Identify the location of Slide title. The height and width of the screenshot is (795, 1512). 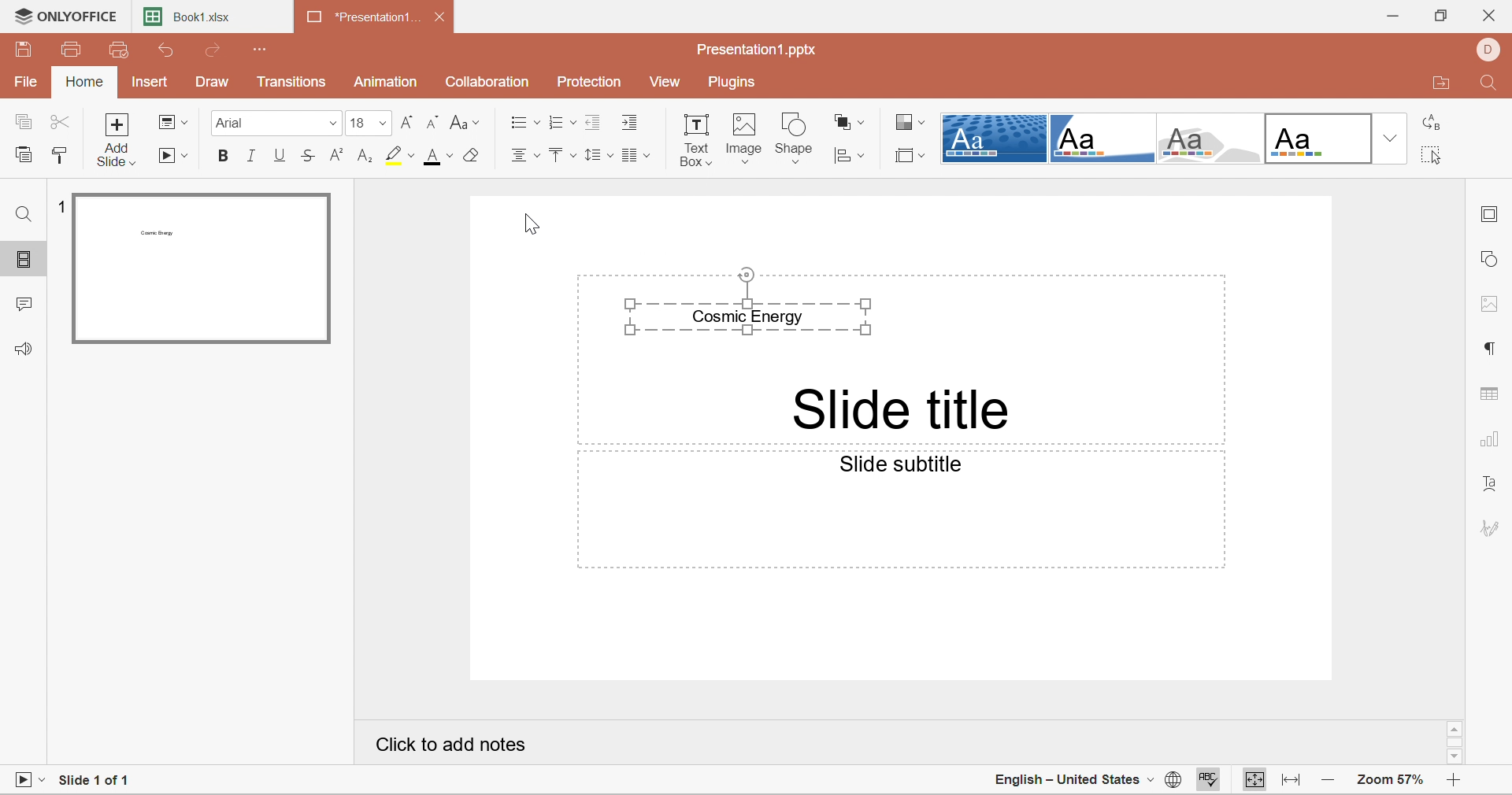
(901, 409).